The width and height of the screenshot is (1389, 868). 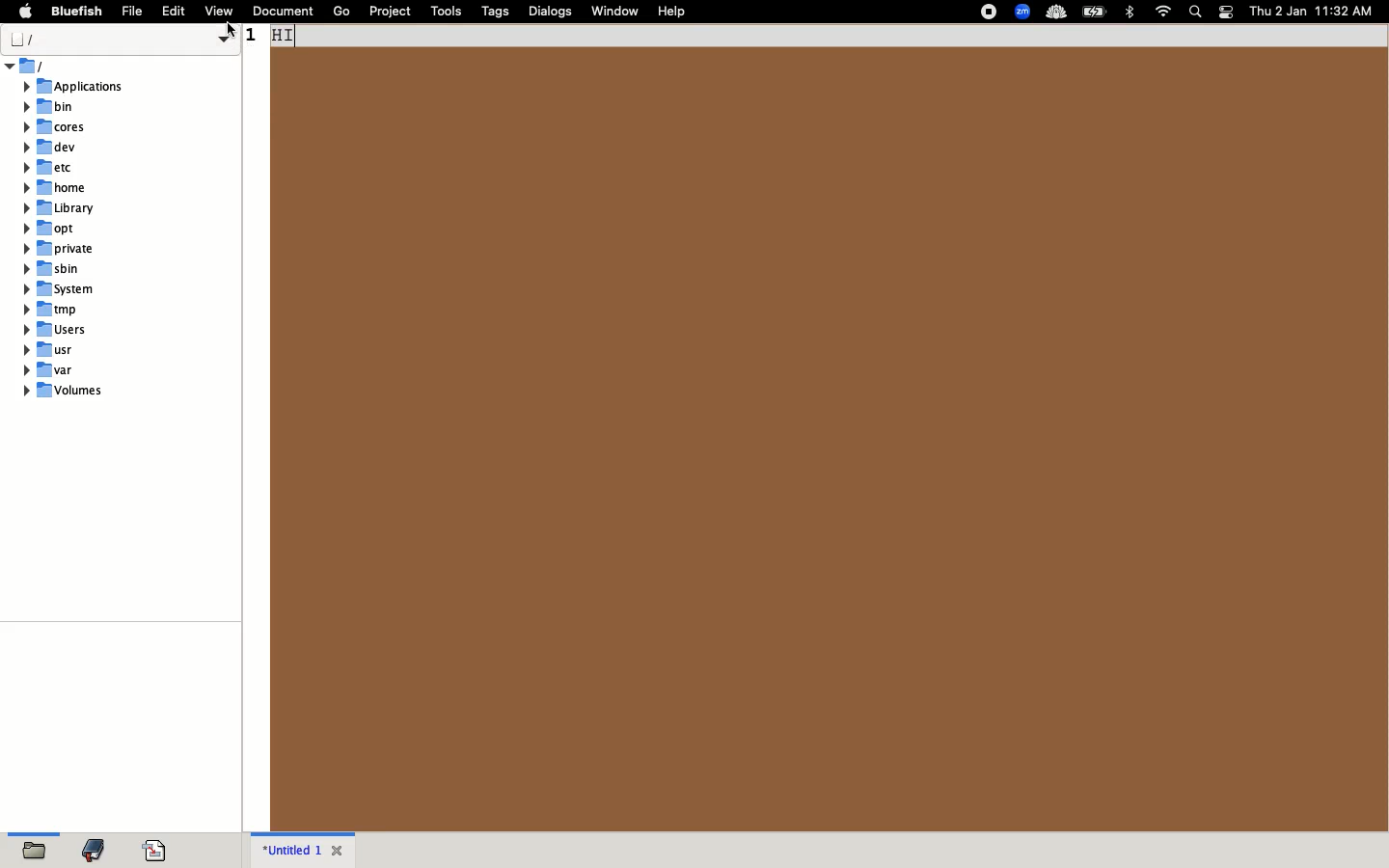 I want to click on code, so click(x=154, y=851).